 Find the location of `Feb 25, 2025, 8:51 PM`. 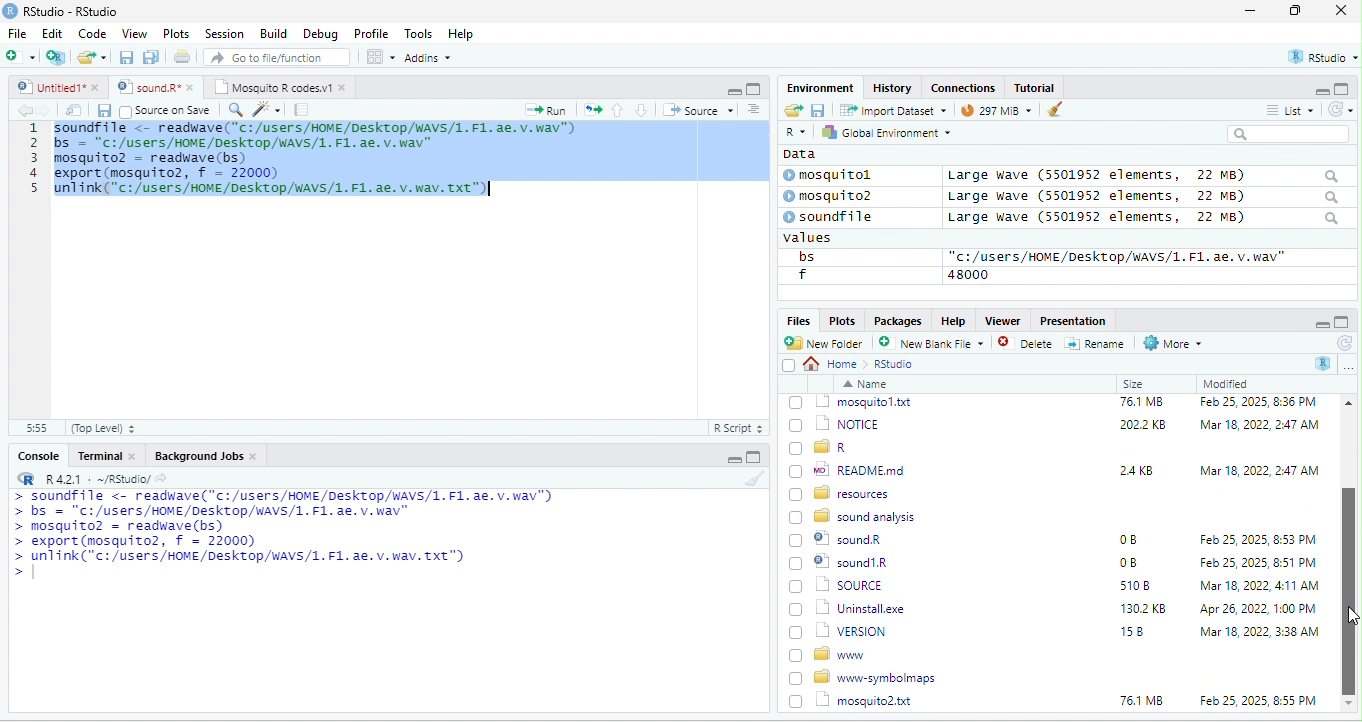

Feb 25, 2025, 8:51 PM is located at coordinates (1259, 659).